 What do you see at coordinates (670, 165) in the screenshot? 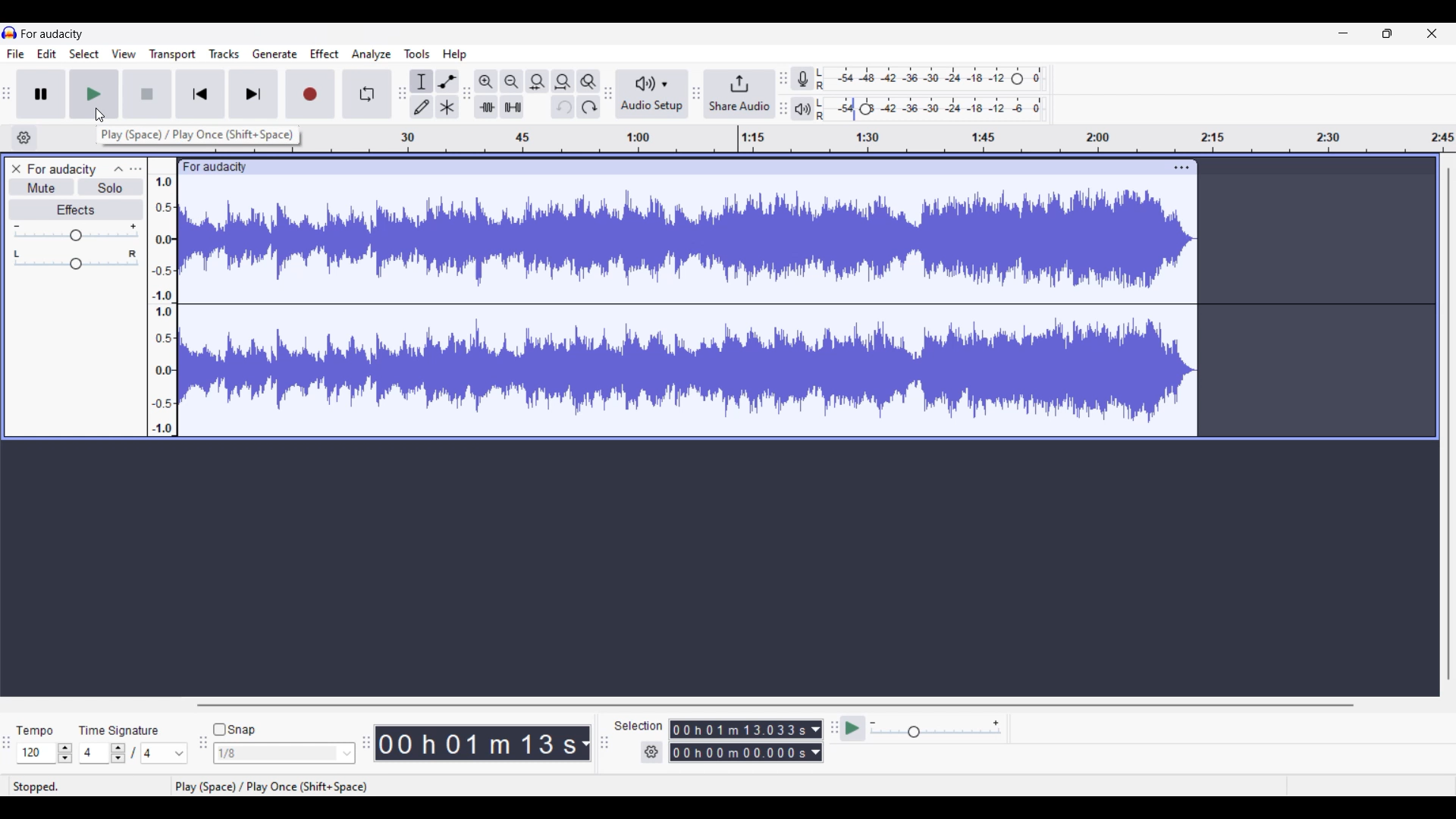
I see `click to drag` at bounding box center [670, 165].